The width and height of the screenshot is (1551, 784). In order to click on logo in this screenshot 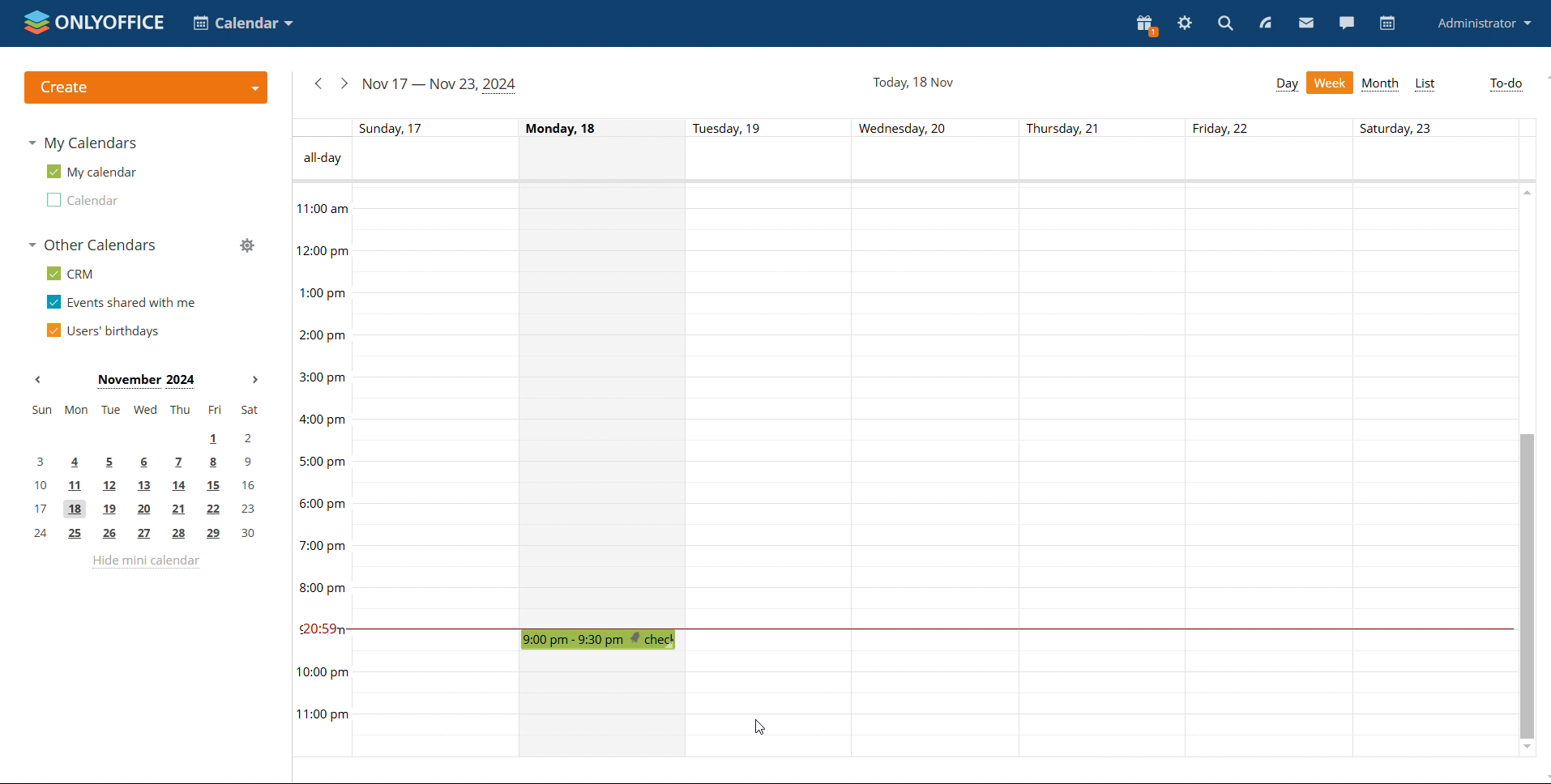, I will do `click(94, 24)`.